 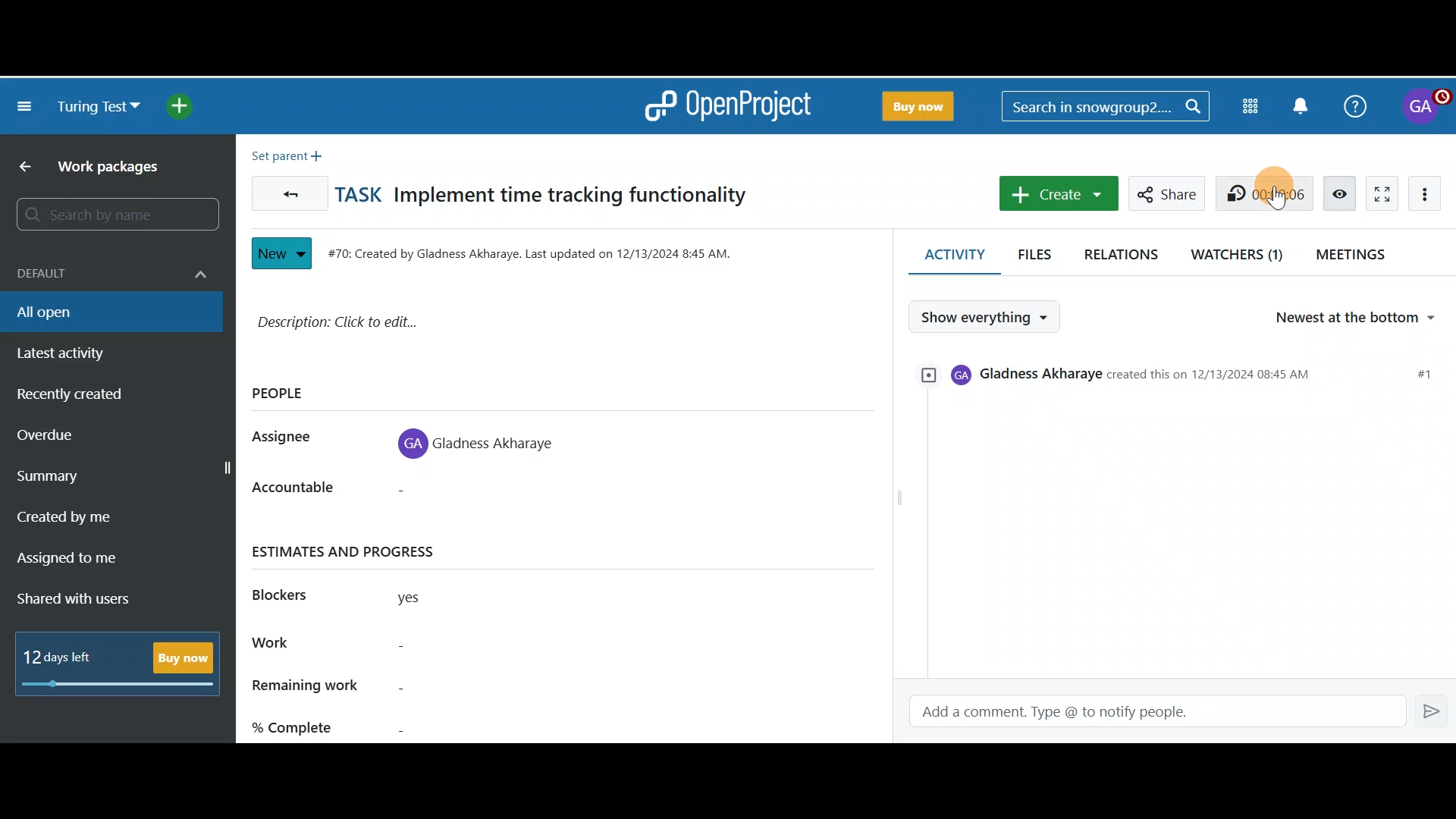 I want to click on Description: Click to edit..., so click(x=500, y=329).